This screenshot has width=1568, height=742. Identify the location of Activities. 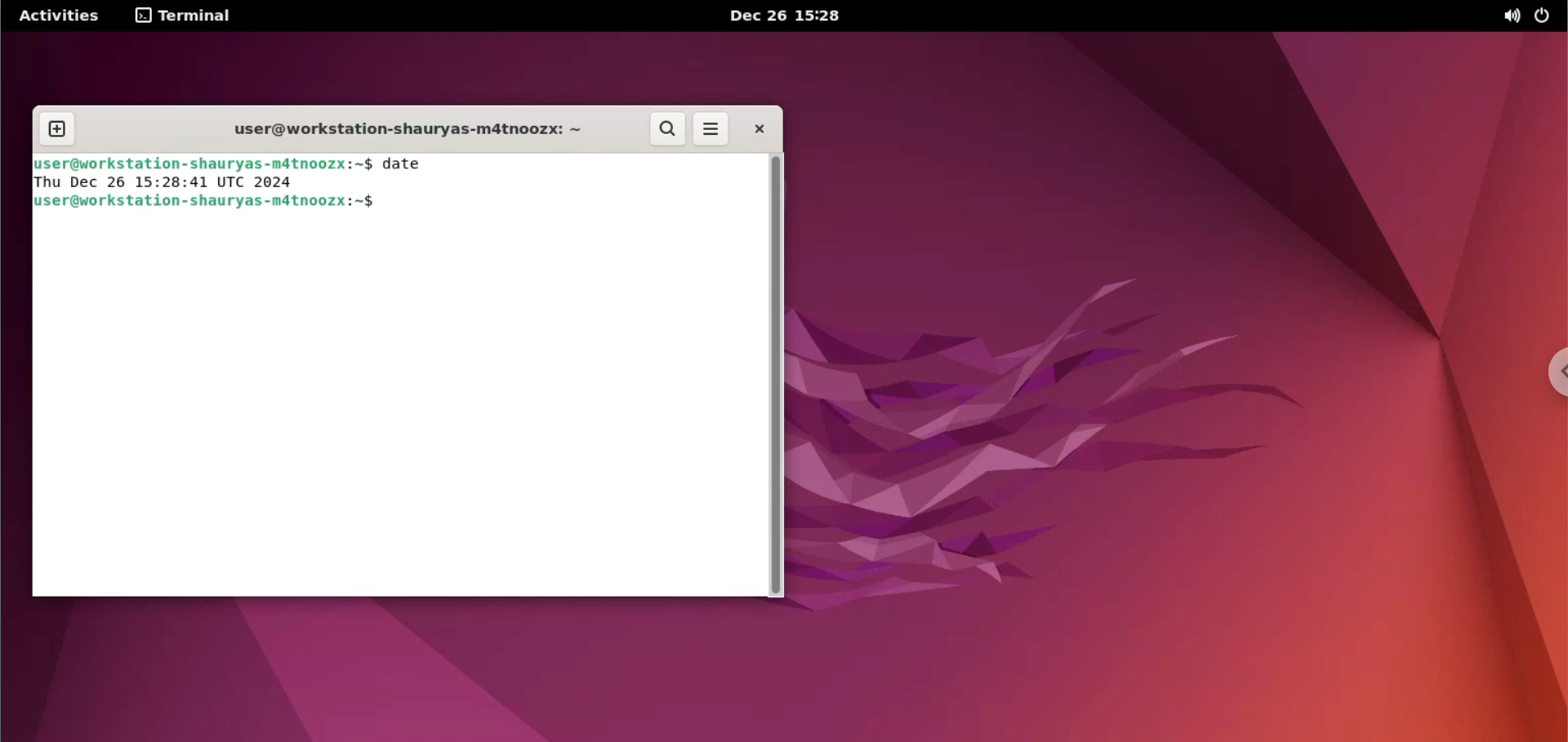
(60, 16).